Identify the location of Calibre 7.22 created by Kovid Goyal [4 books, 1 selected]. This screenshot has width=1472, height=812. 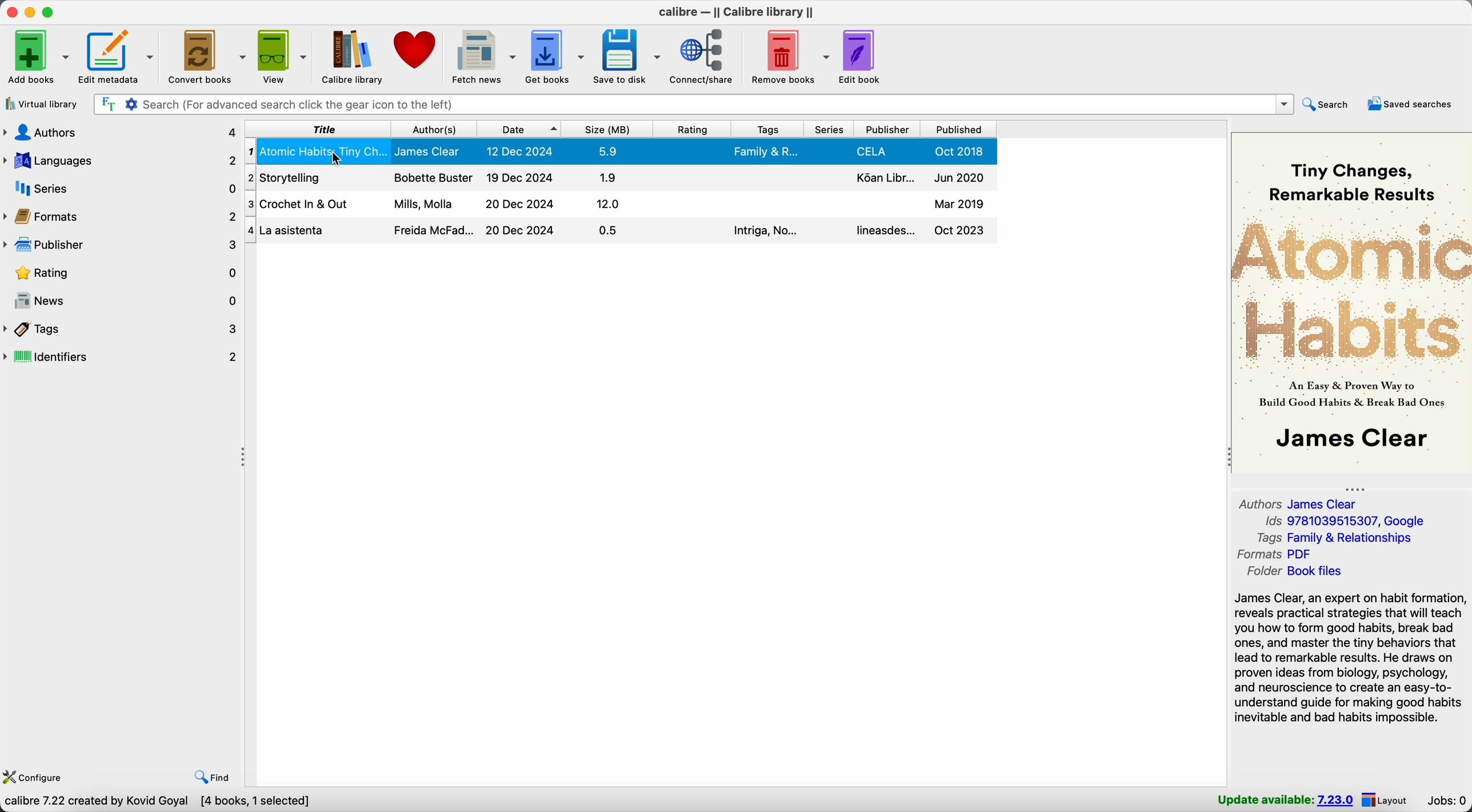
(157, 802).